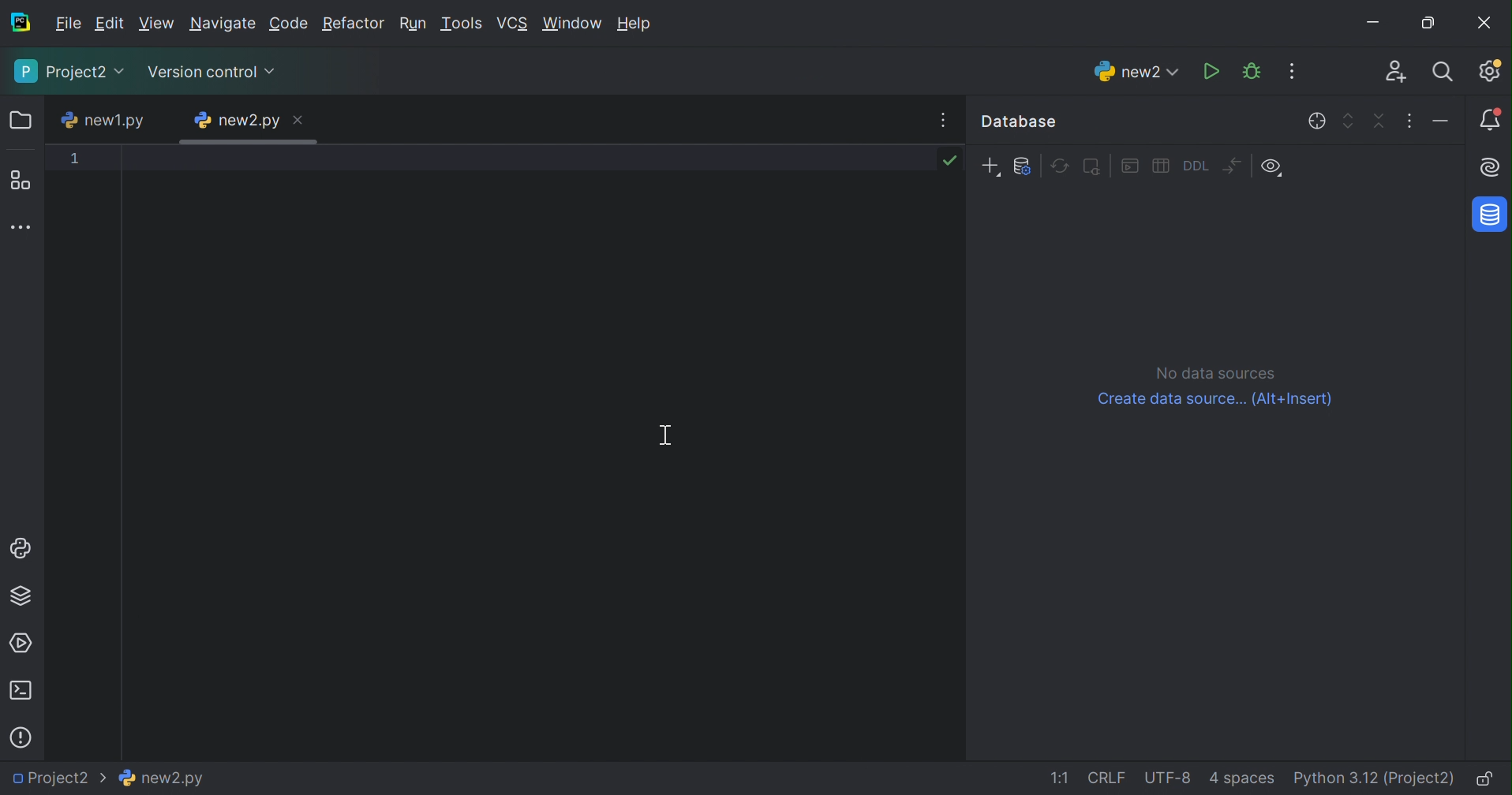 The image size is (1512, 795). I want to click on new2.py, so click(239, 121).